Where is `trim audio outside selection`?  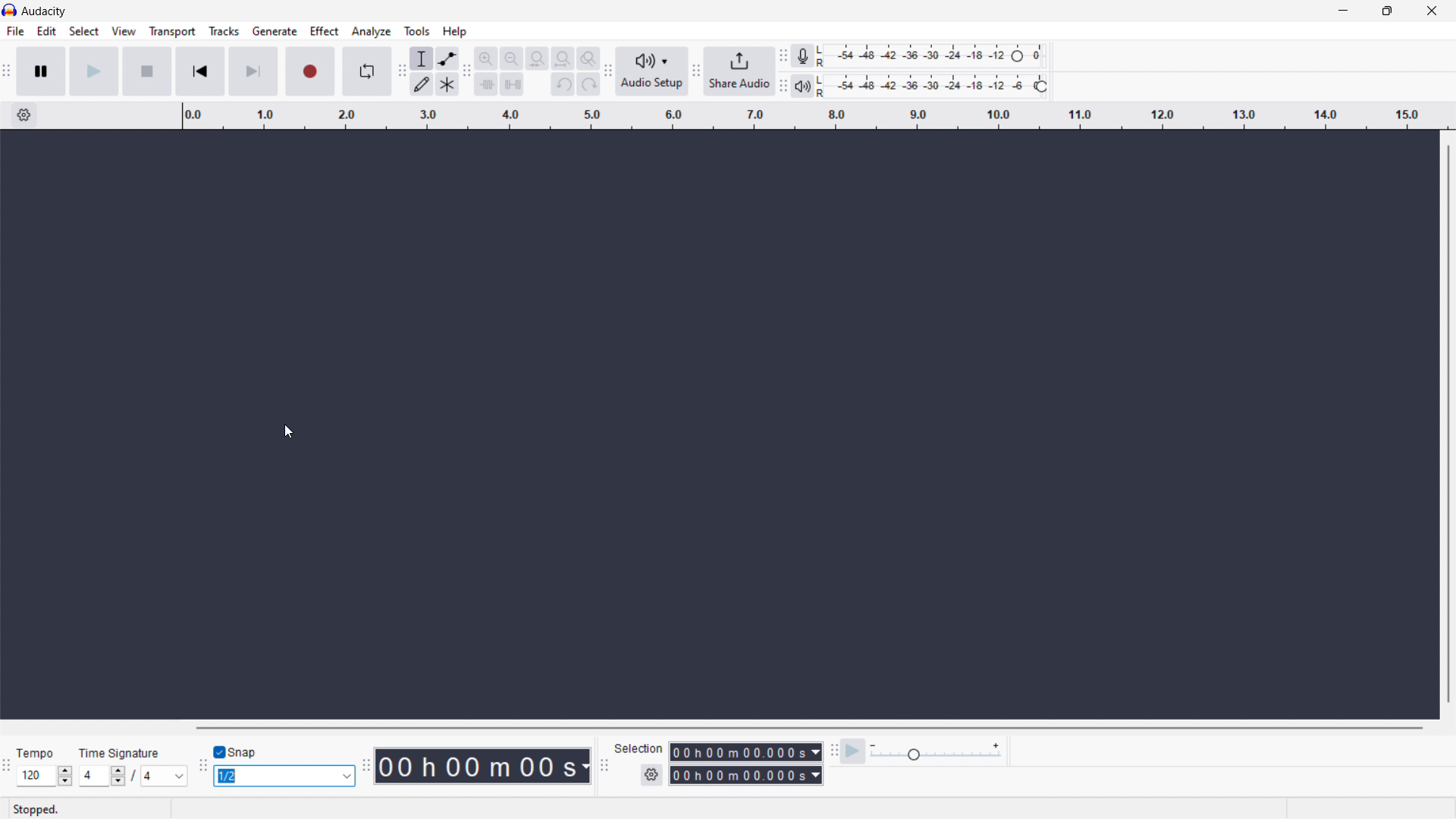
trim audio outside selection is located at coordinates (487, 83).